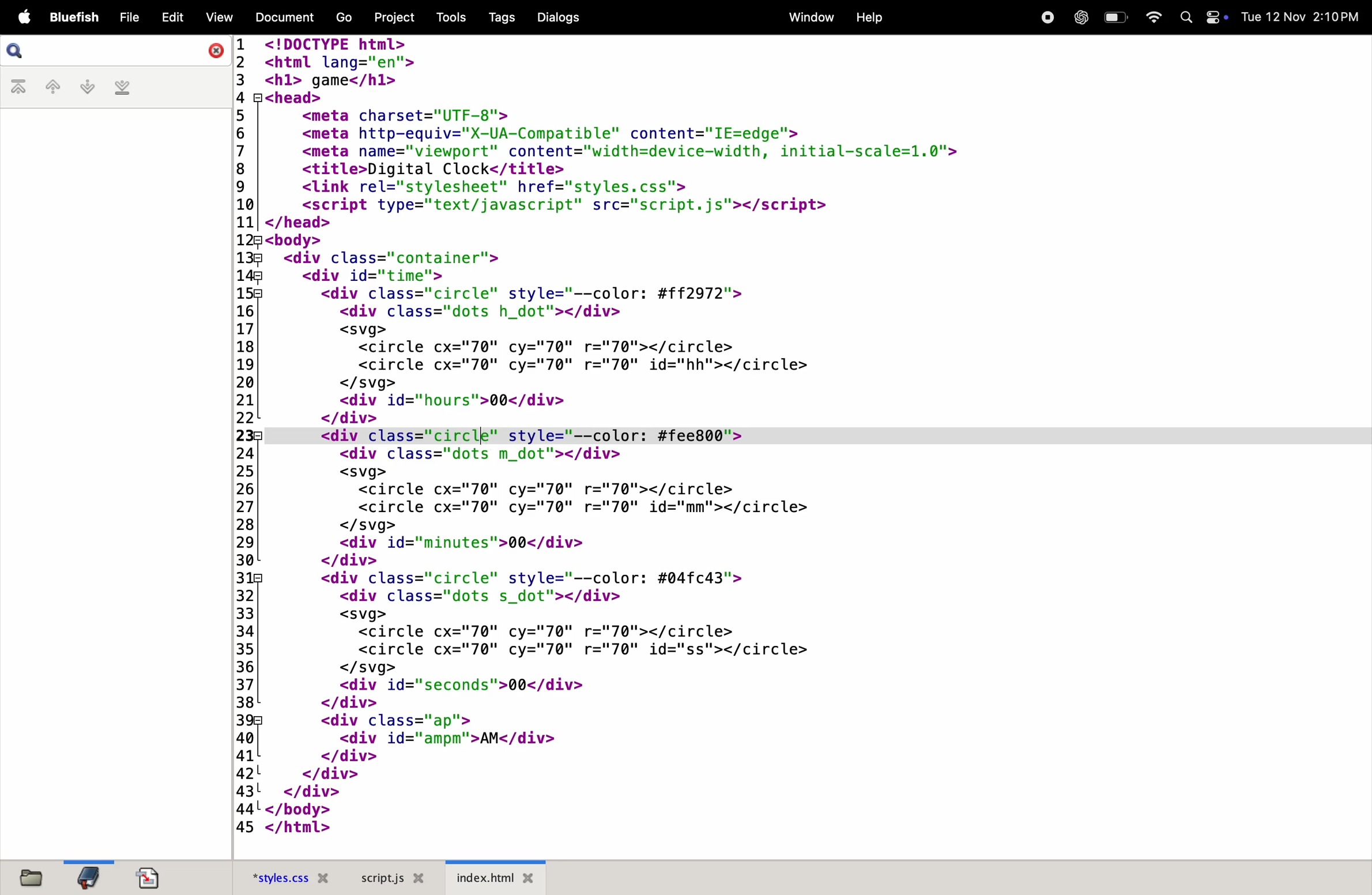 The height and width of the screenshot is (895, 1372). Describe the element at coordinates (85, 88) in the screenshot. I see `nextbookmark` at that location.